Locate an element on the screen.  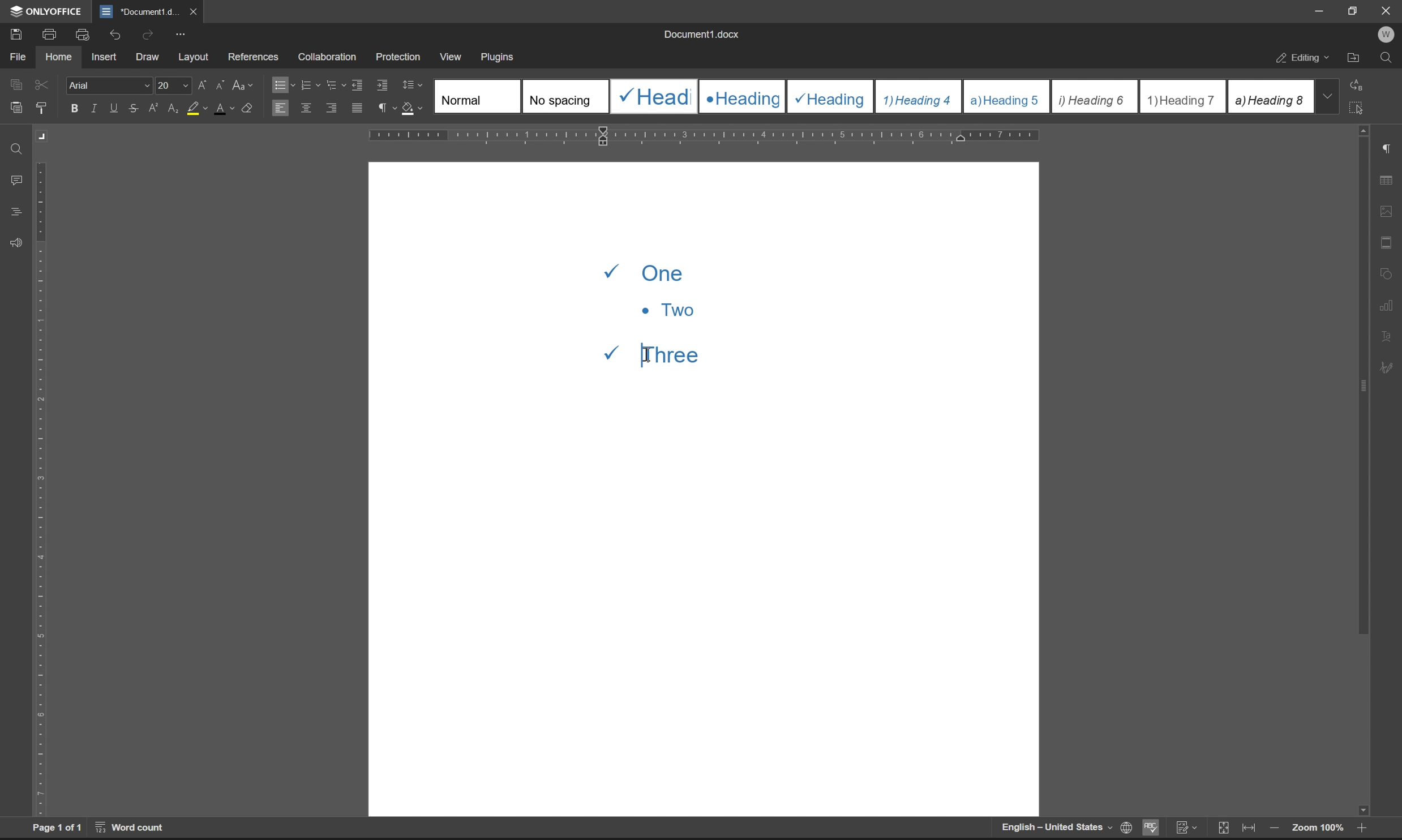
editing is located at coordinates (1304, 59).